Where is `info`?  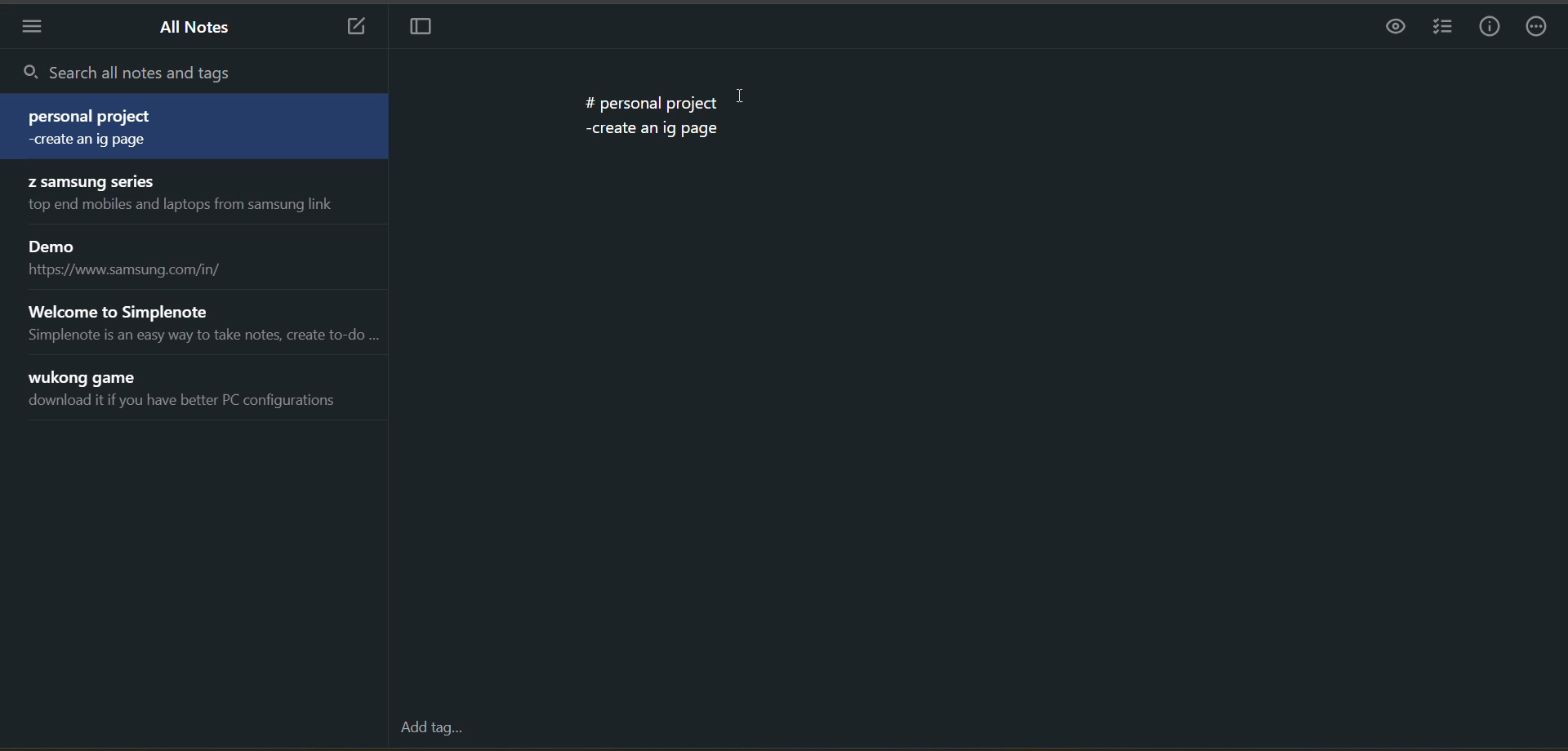
info is located at coordinates (1492, 26).